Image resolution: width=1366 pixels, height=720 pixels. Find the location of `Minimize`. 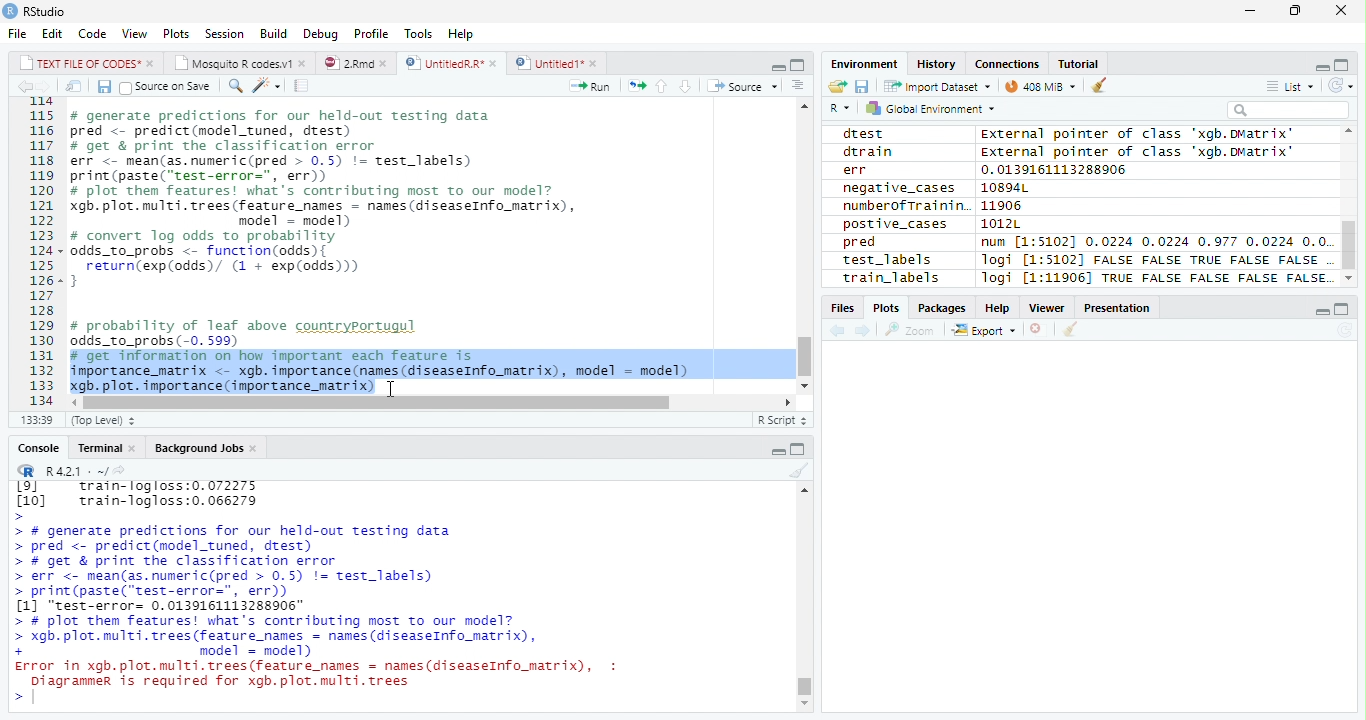

Minimize is located at coordinates (1322, 309).